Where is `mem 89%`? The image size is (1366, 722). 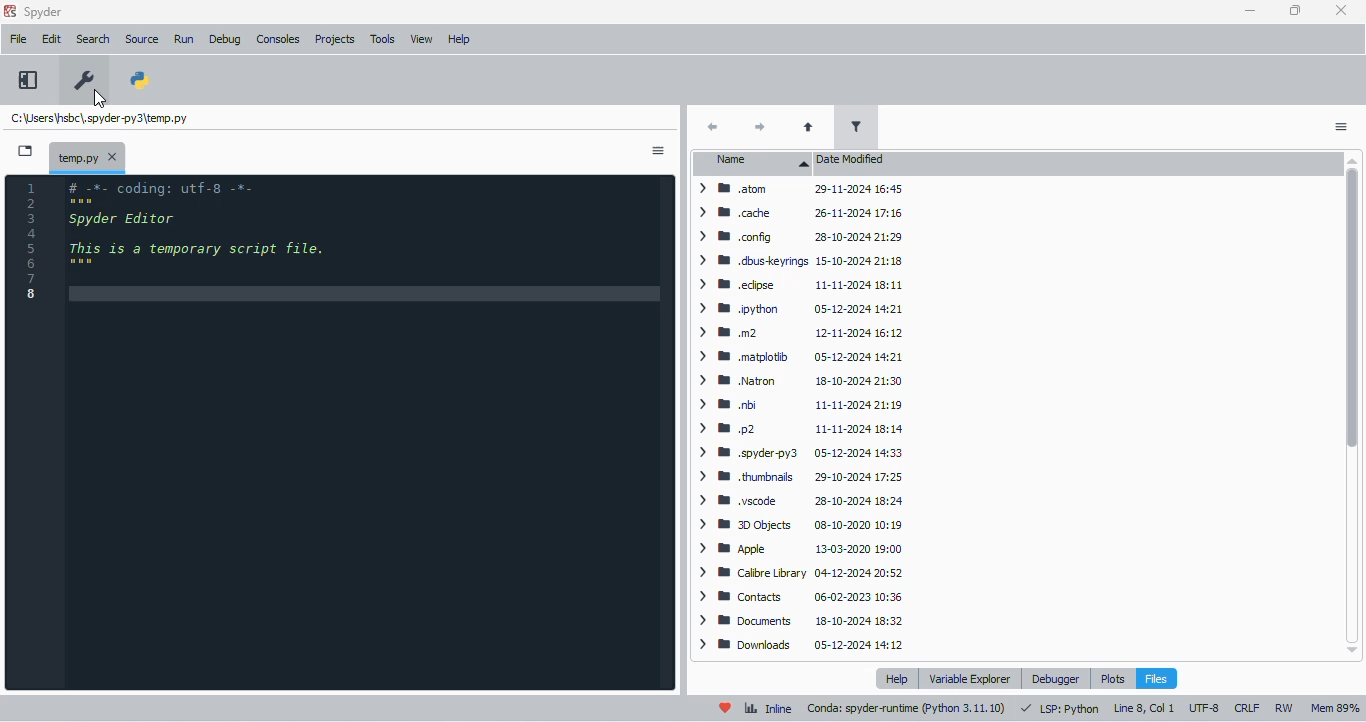 mem 89% is located at coordinates (1335, 709).